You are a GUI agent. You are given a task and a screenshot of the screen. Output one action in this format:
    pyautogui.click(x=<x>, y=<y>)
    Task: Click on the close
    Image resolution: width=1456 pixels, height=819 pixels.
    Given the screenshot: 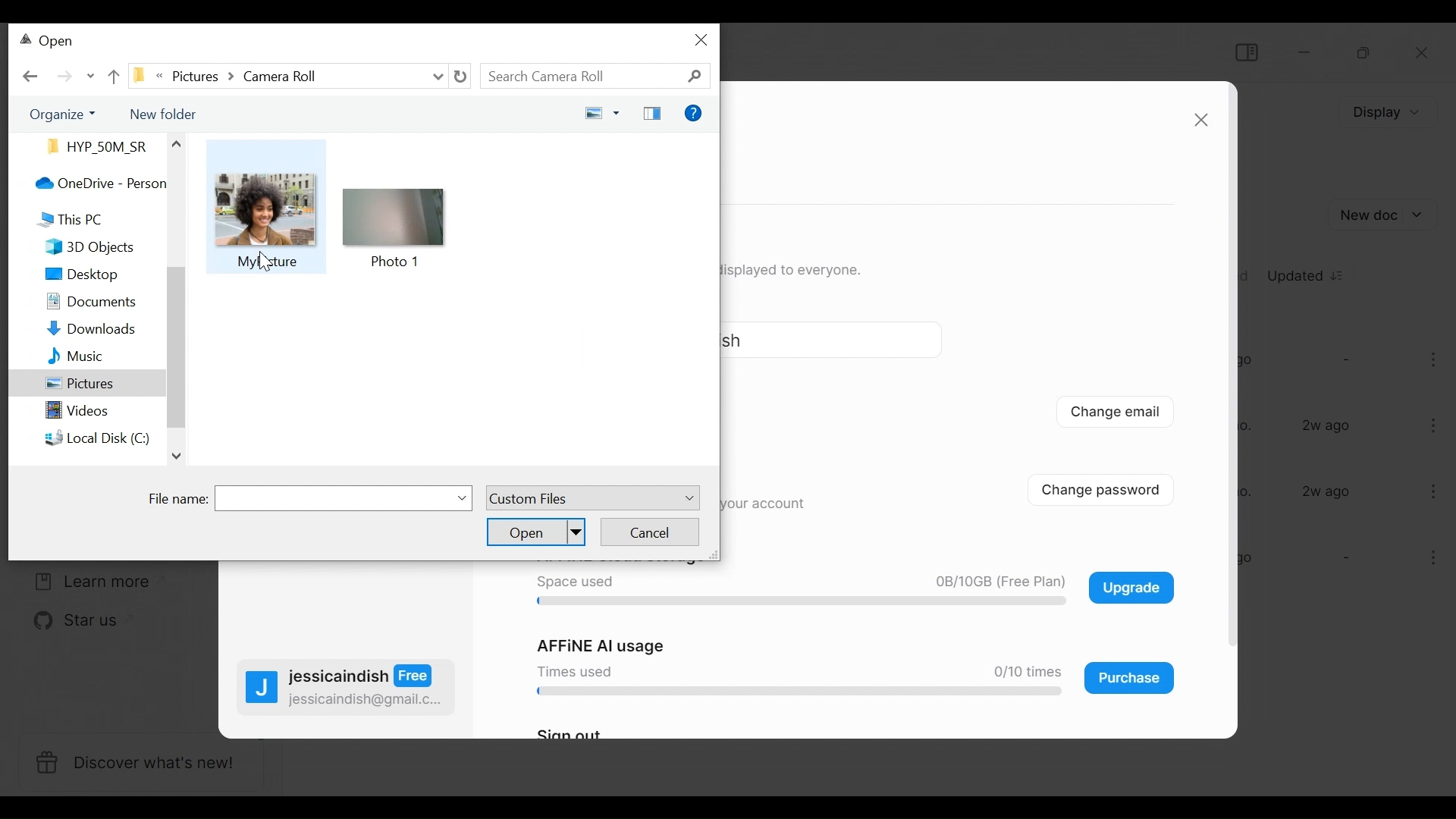 What is the action you would take?
    pyautogui.click(x=1200, y=121)
    